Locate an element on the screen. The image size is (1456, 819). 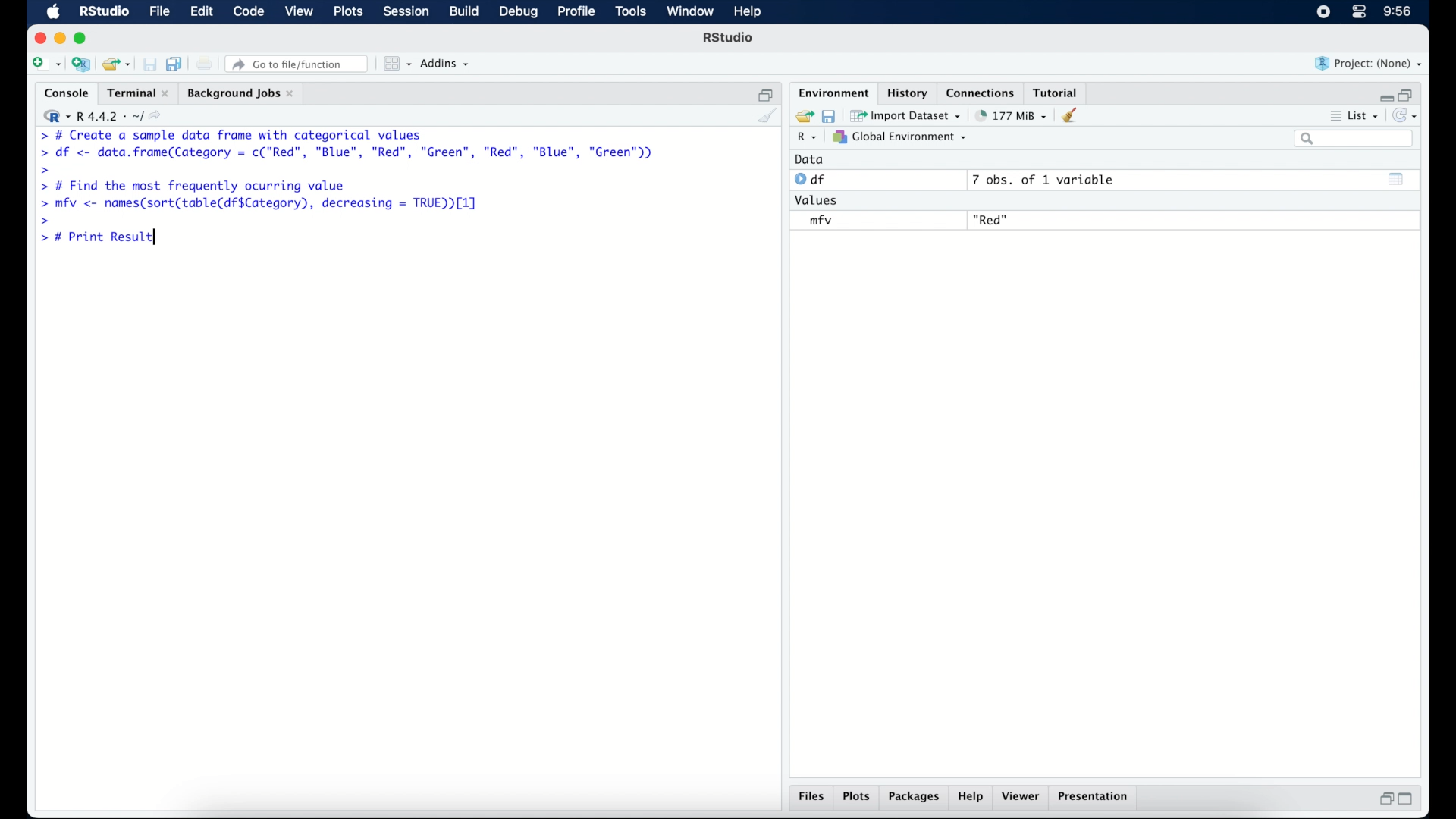
console is located at coordinates (63, 92).